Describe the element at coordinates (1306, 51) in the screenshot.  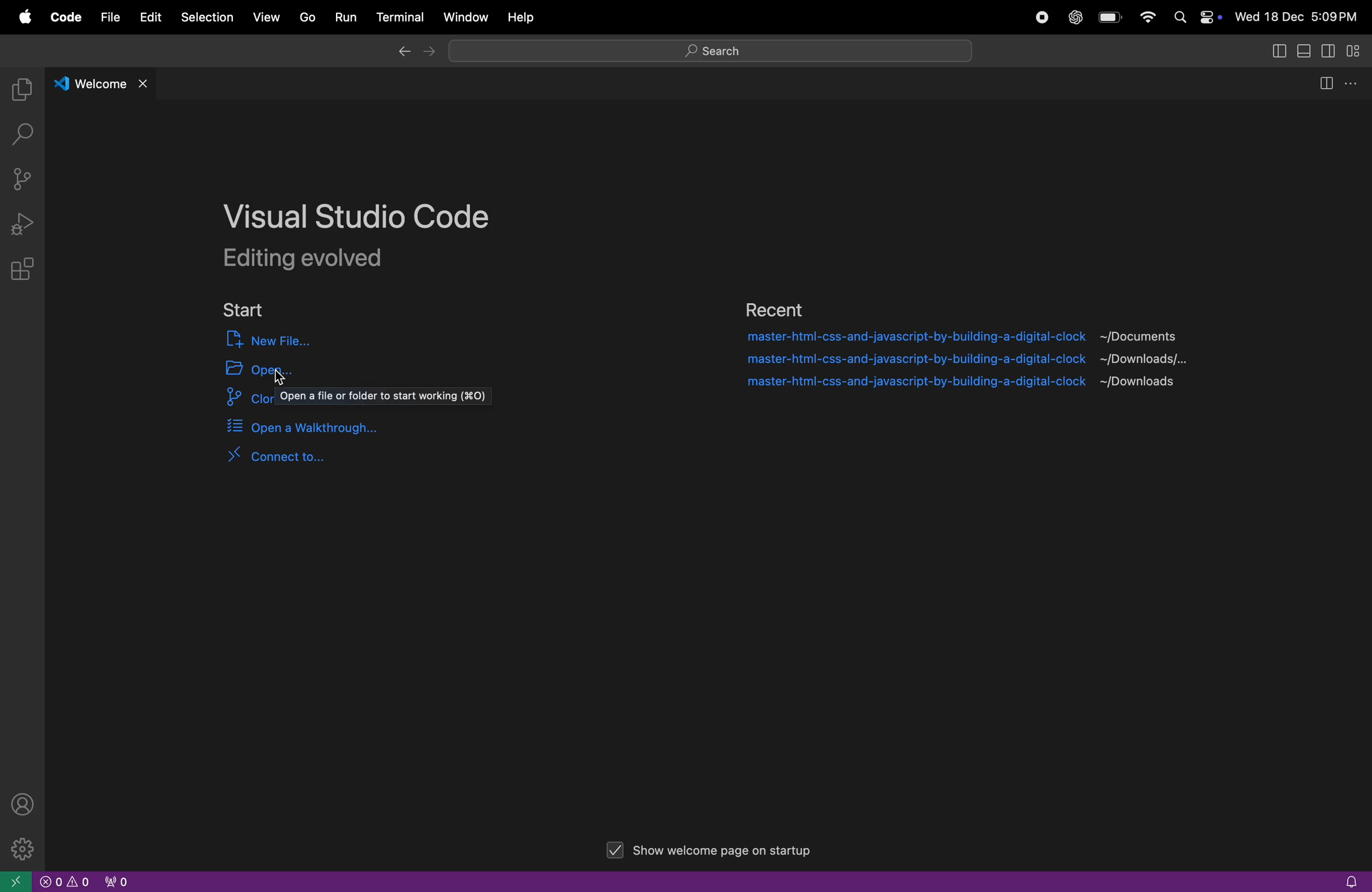
I see `toggle panel` at that location.